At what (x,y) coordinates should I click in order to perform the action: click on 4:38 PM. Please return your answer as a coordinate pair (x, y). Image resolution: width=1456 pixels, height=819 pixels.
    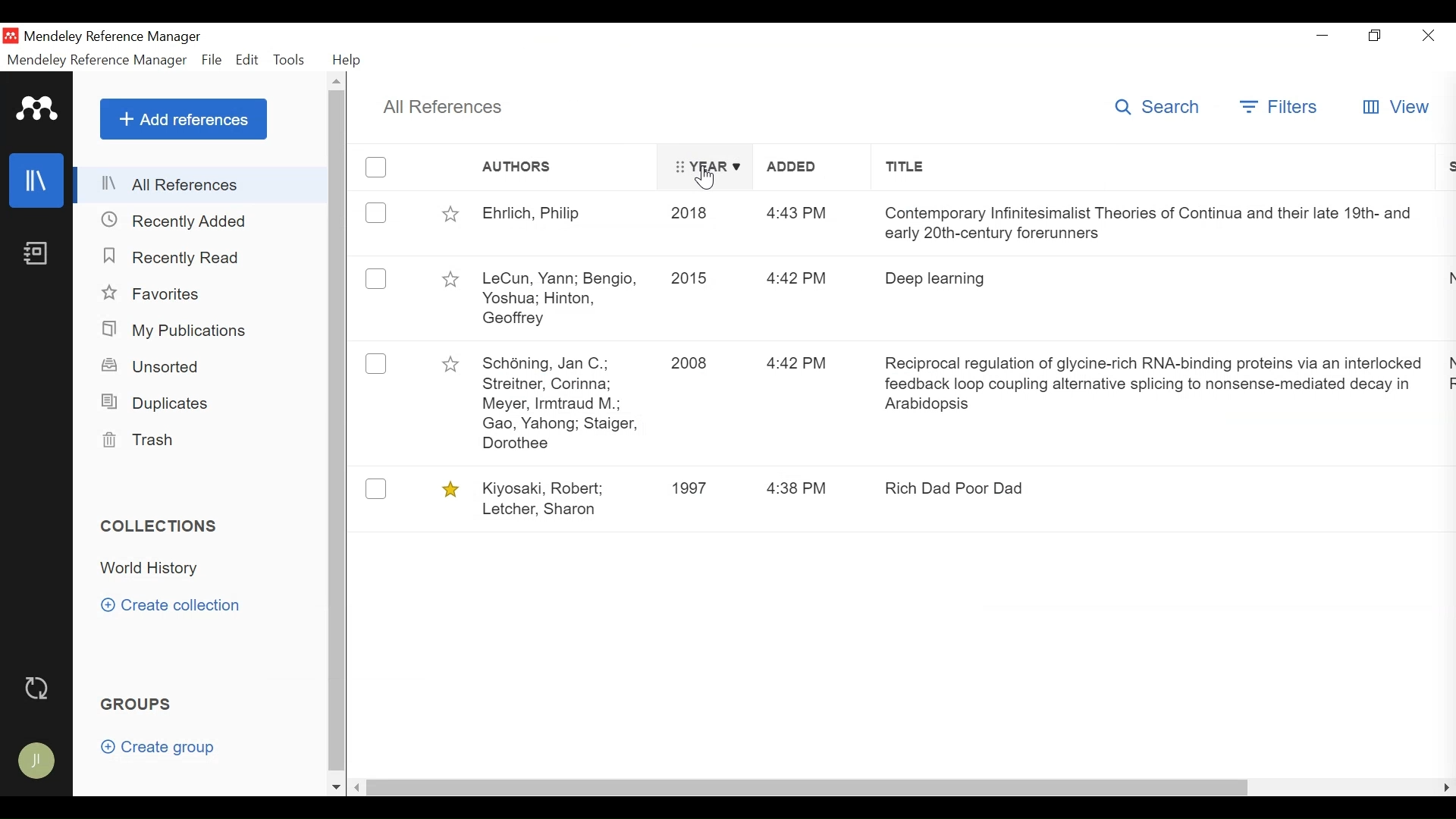
    Looking at the image, I should click on (799, 488).